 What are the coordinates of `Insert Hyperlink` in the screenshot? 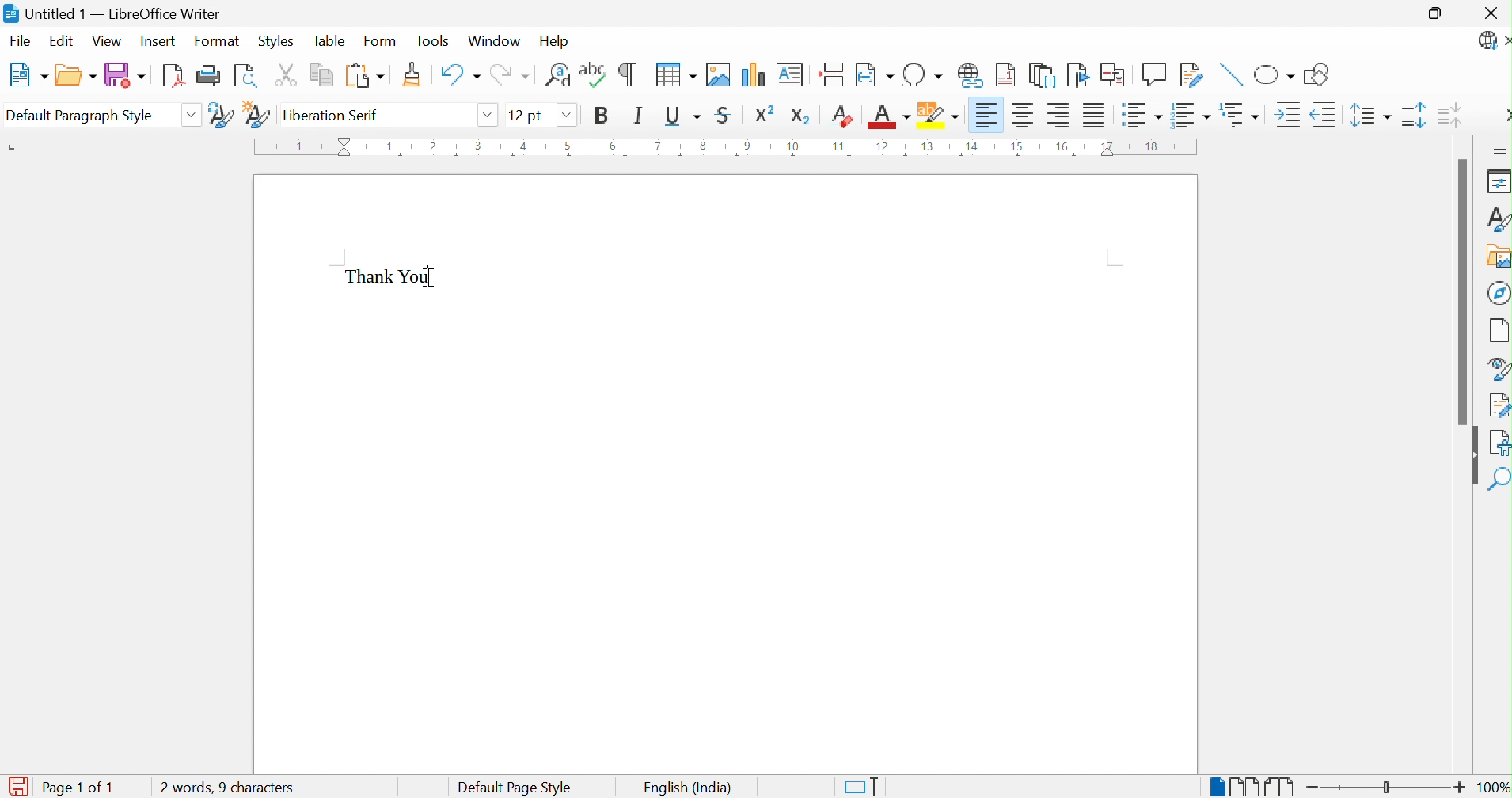 It's located at (971, 76).